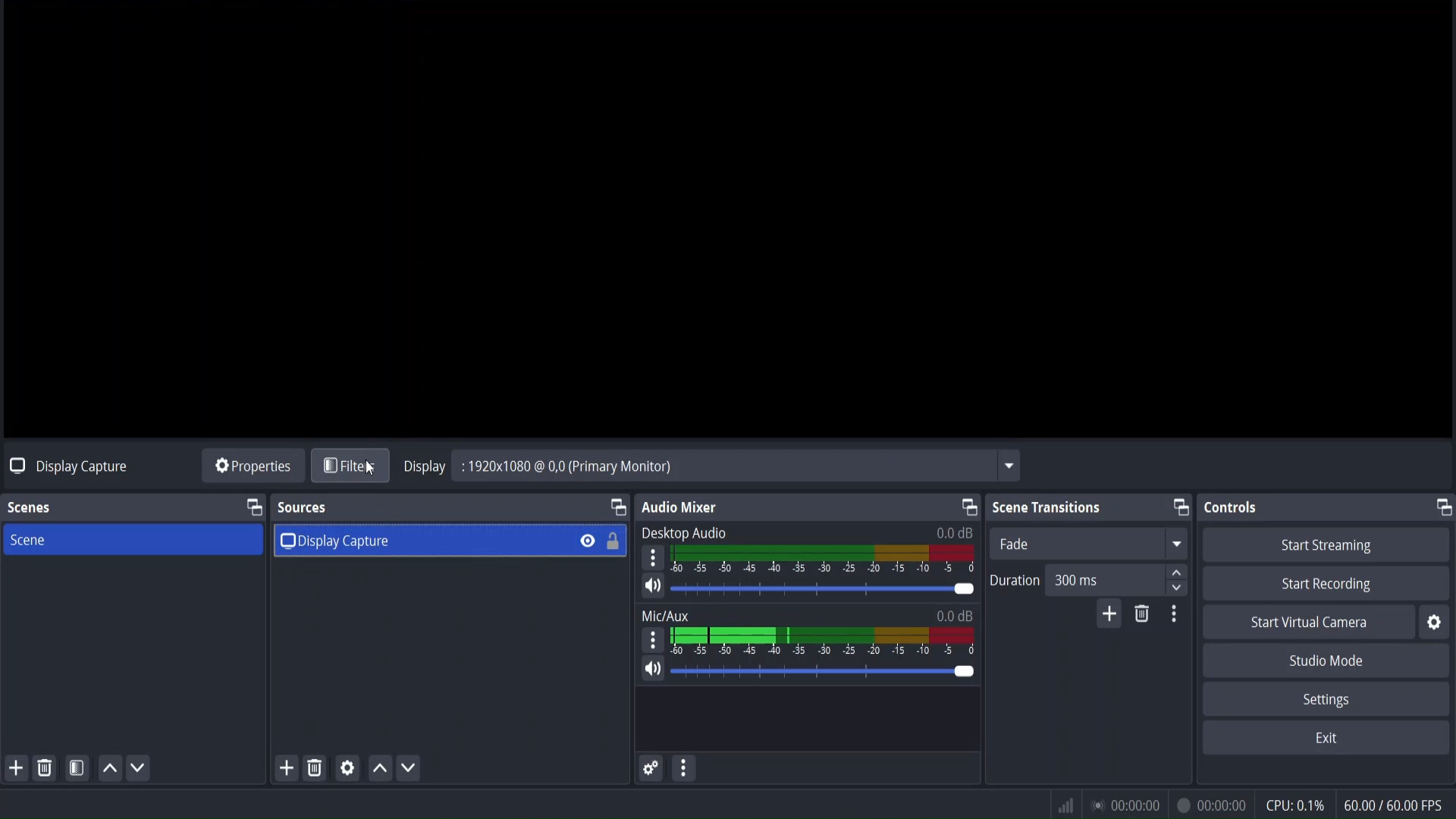 Image resolution: width=1456 pixels, height=819 pixels. I want to click on change tab layout, so click(617, 508).